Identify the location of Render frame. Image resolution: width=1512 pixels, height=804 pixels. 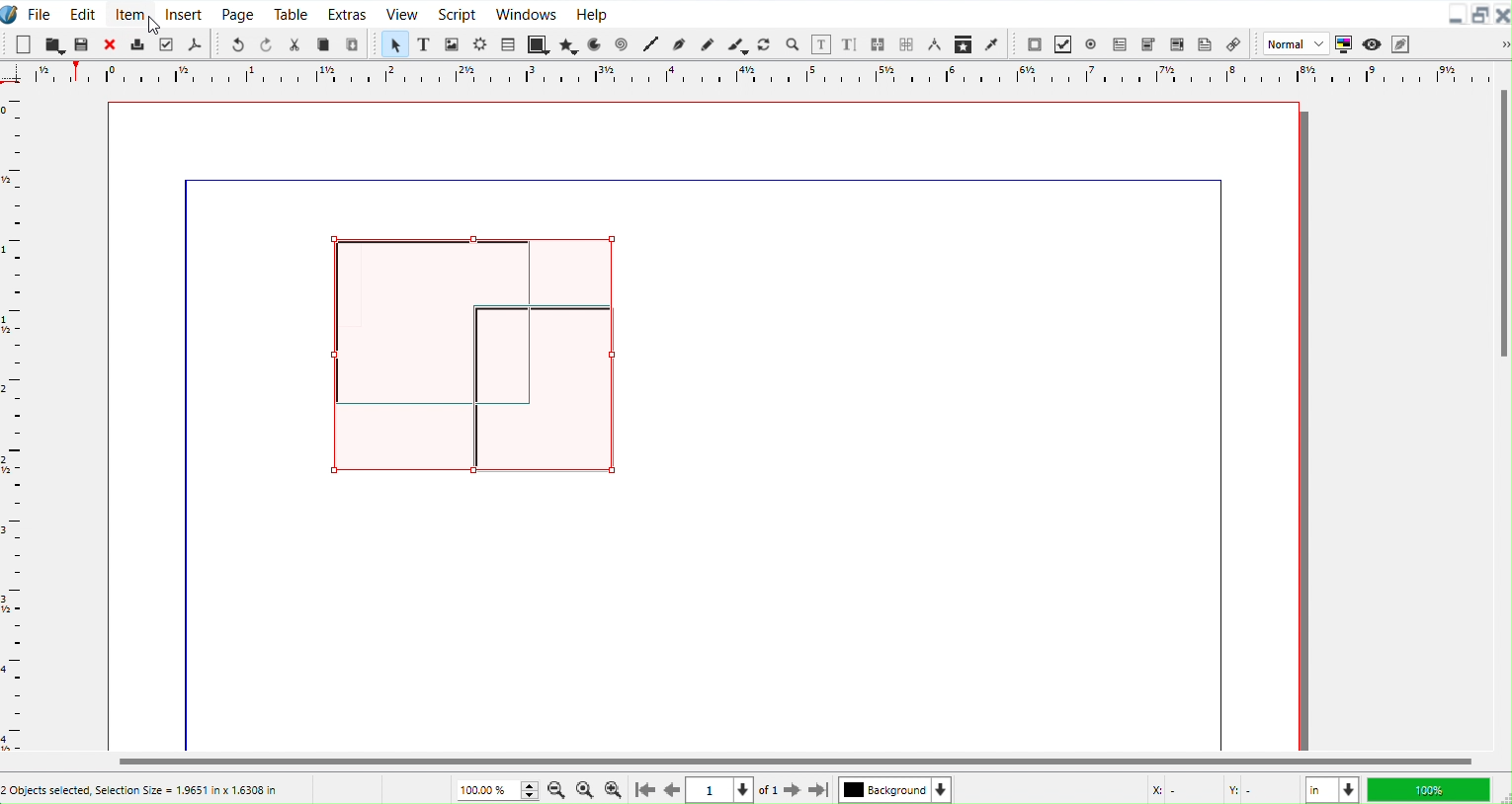
(481, 44).